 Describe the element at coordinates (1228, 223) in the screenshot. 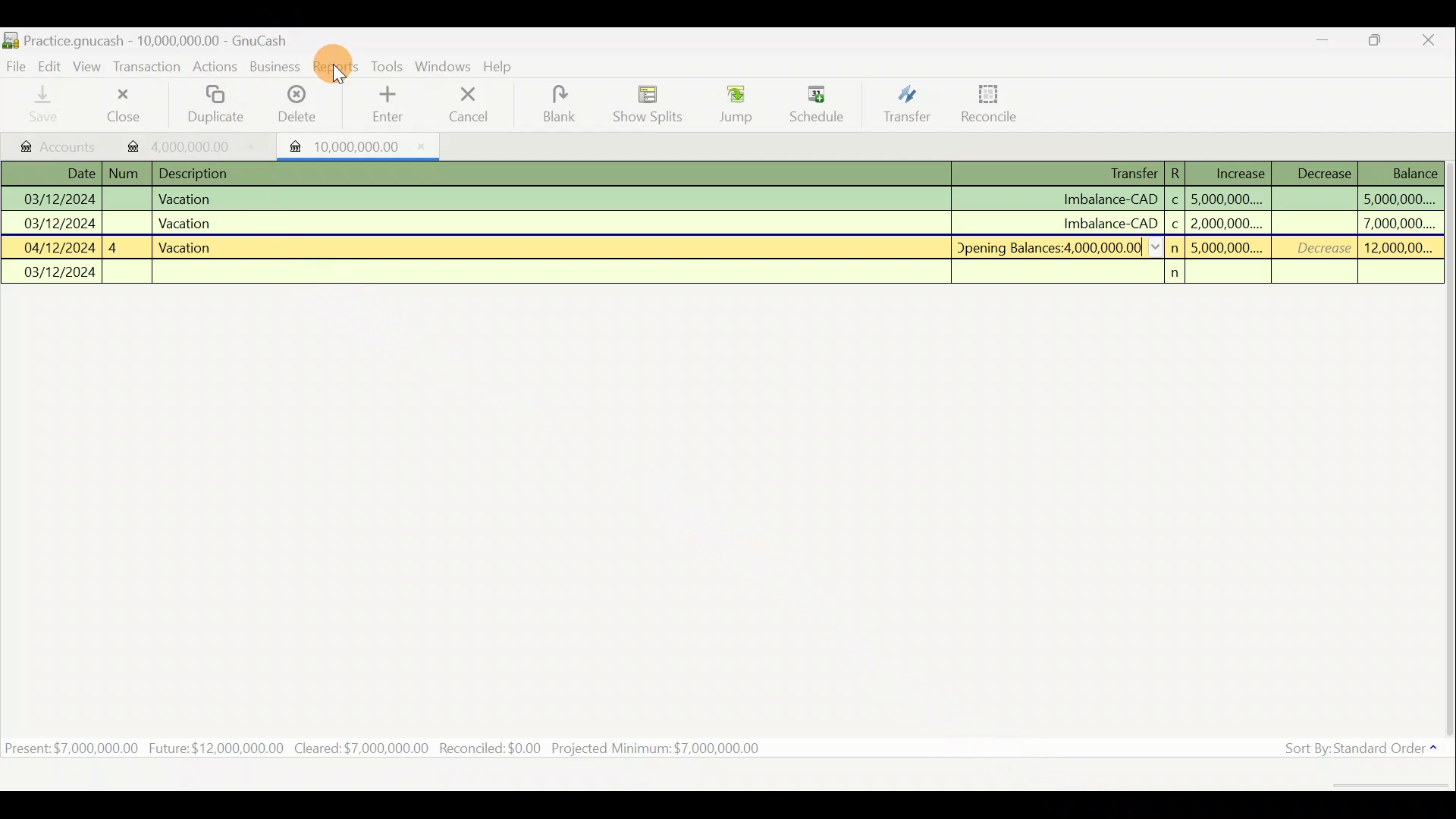

I see `2,000,000....` at that location.